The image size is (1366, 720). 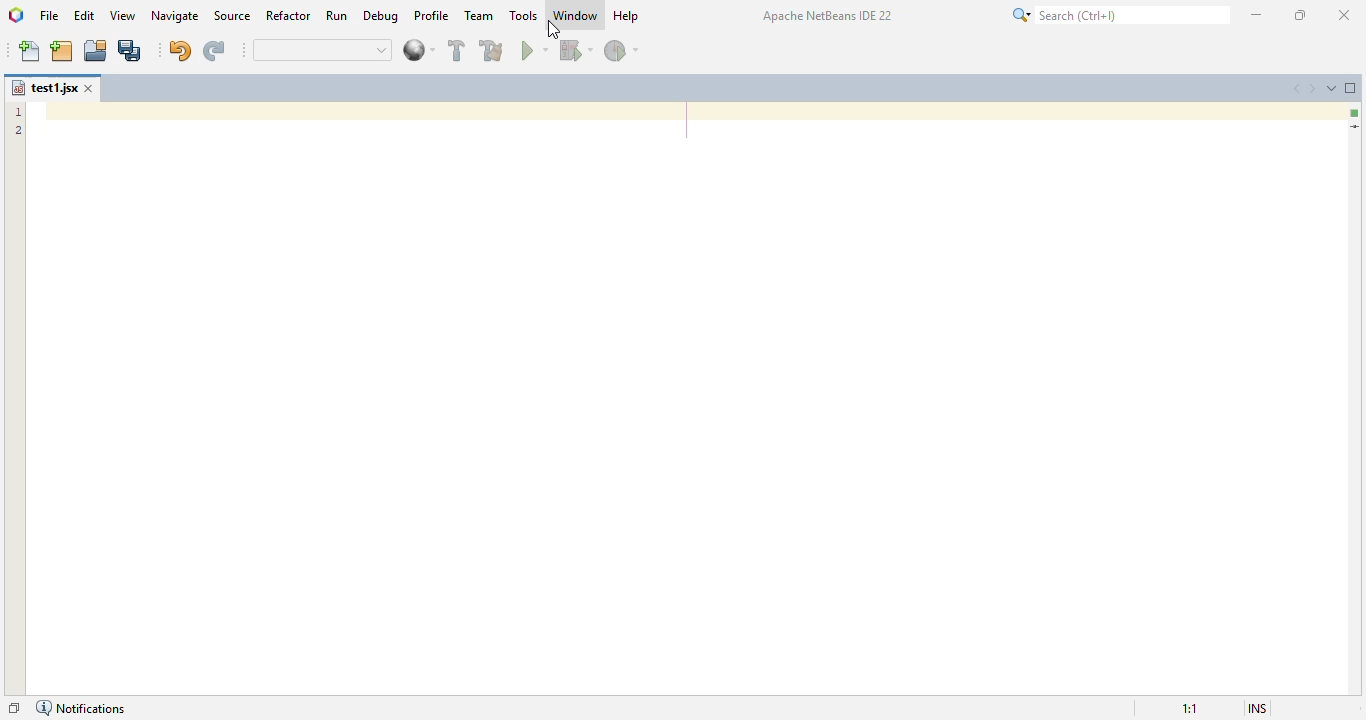 What do you see at coordinates (381, 16) in the screenshot?
I see `debug` at bounding box center [381, 16].